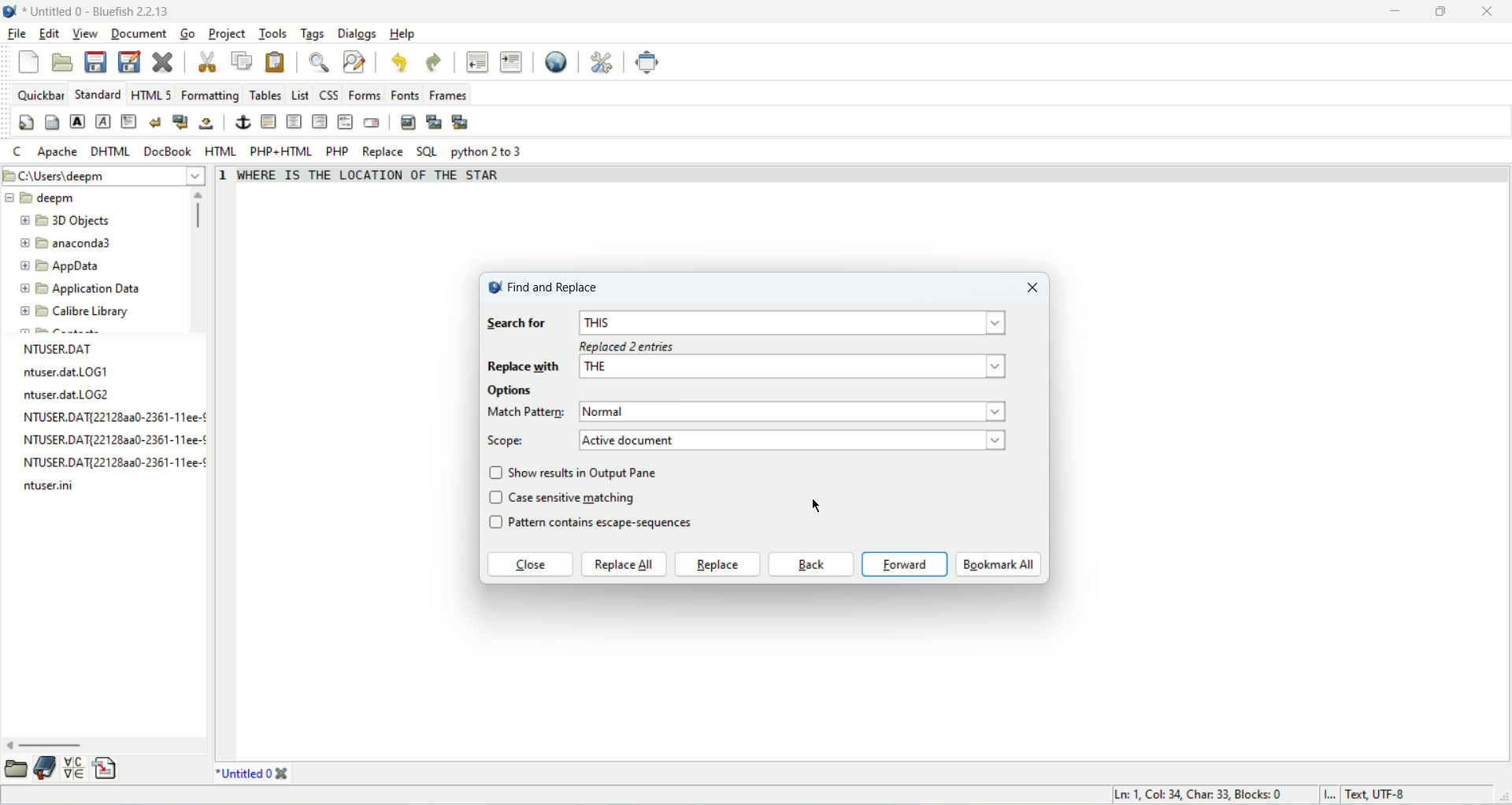 The image size is (1512, 805). I want to click on css, so click(328, 95).